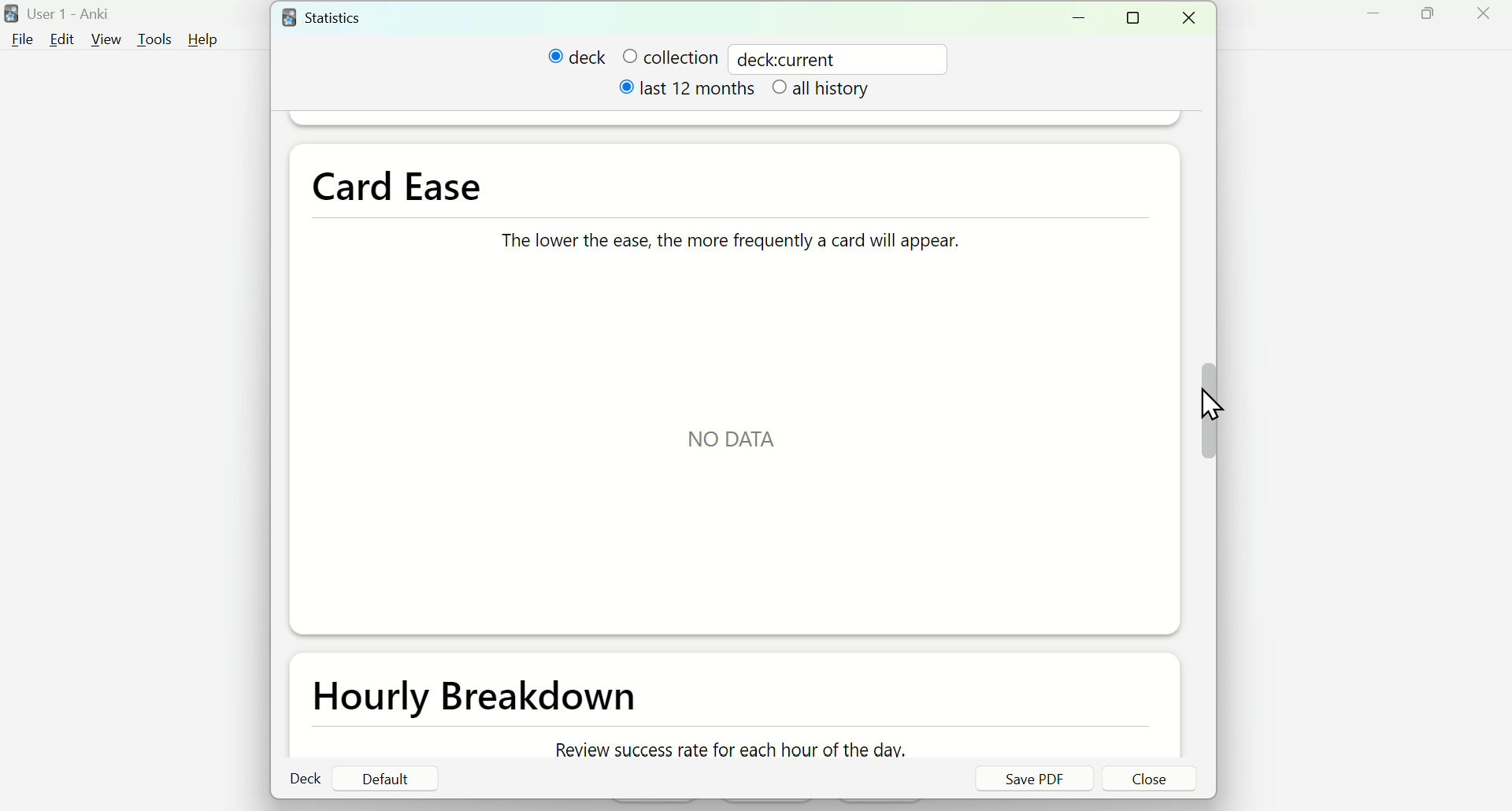 This screenshot has height=811, width=1512. What do you see at coordinates (1033, 779) in the screenshot?
I see `Save PDF` at bounding box center [1033, 779].